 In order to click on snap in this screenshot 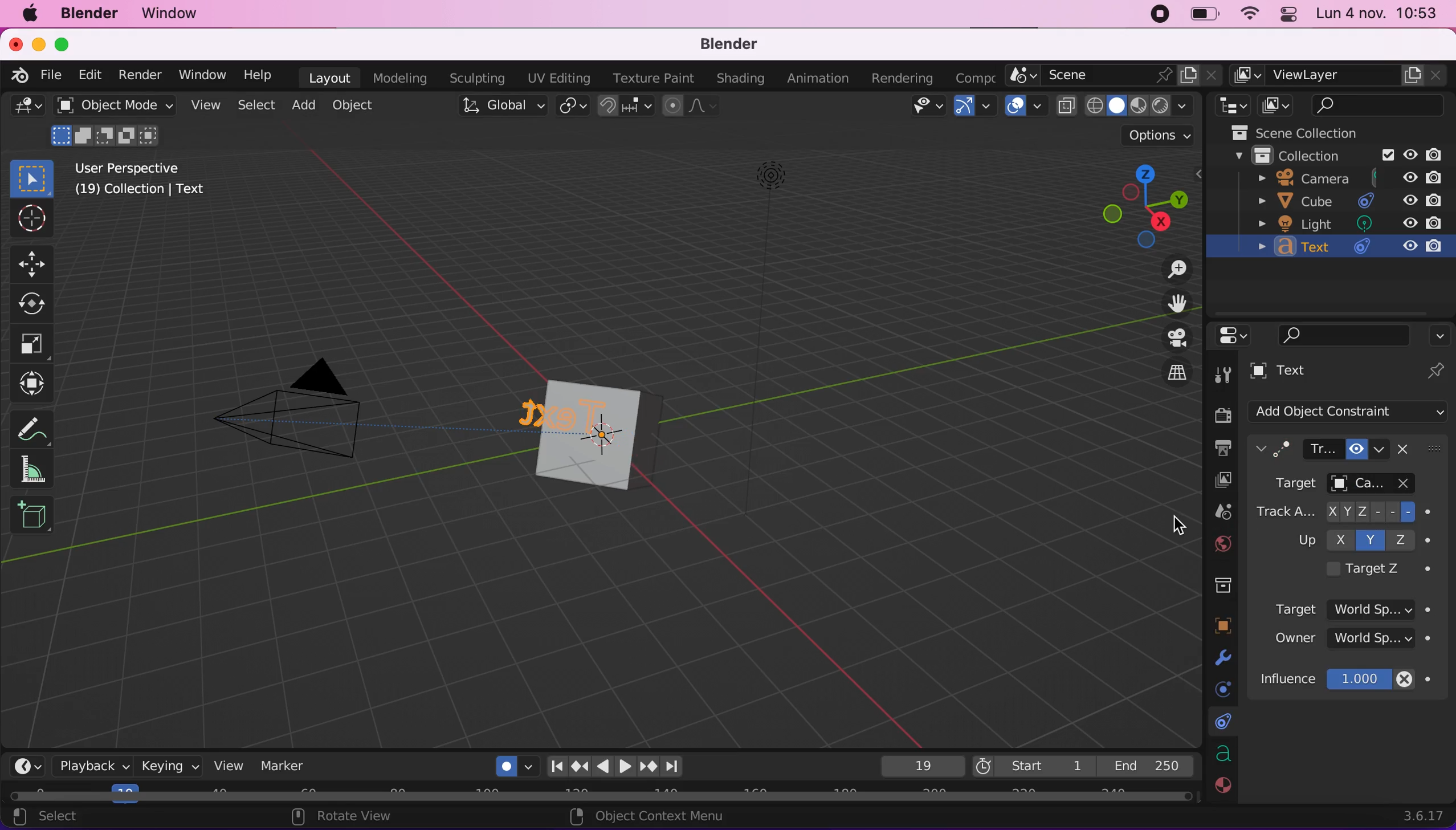, I will do `click(625, 107)`.